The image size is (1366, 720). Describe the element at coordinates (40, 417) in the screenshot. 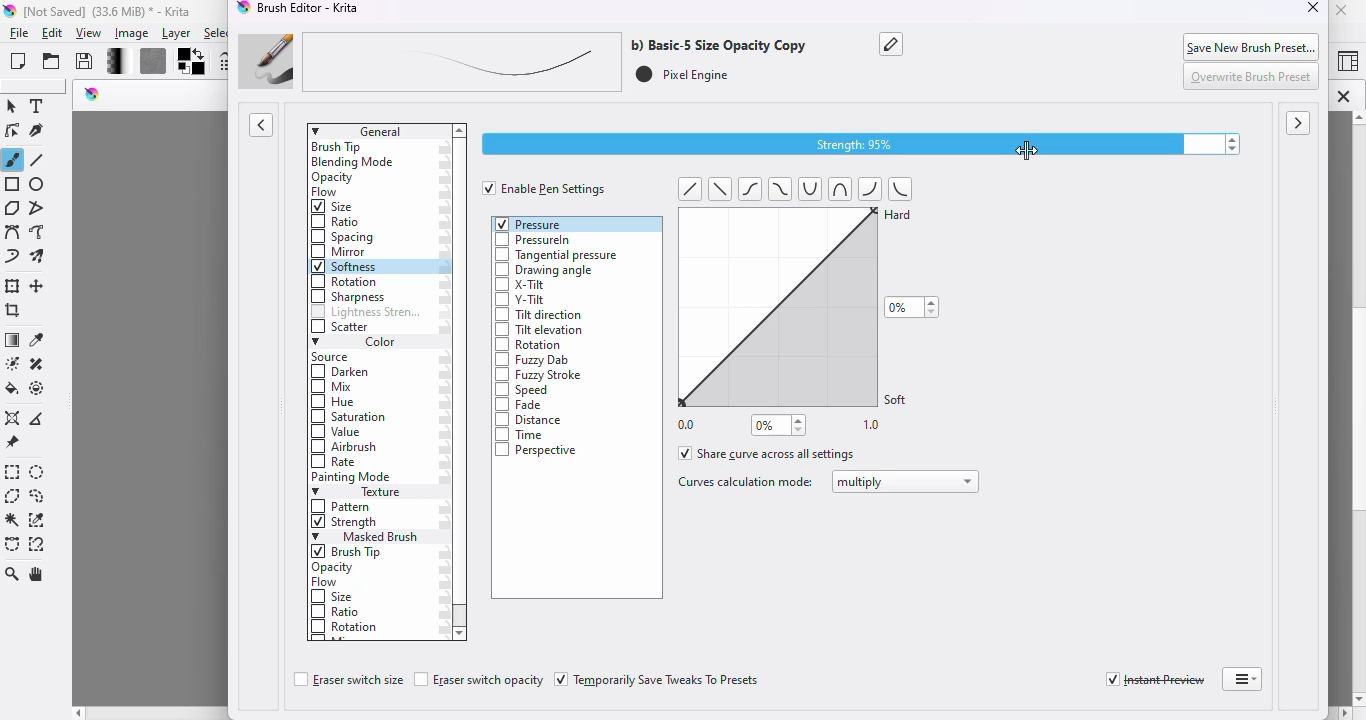

I see `measure the distance between two points` at that location.